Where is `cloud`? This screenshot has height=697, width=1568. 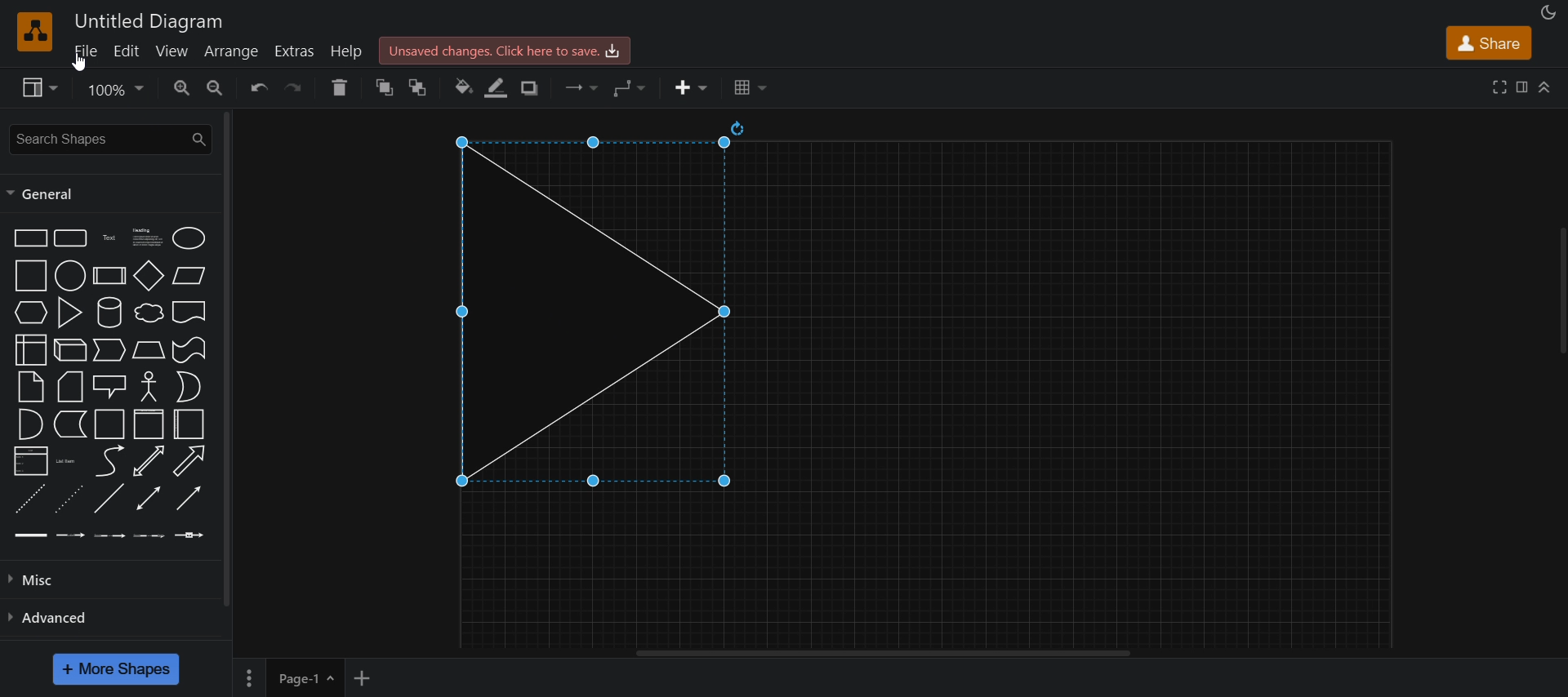
cloud is located at coordinates (149, 313).